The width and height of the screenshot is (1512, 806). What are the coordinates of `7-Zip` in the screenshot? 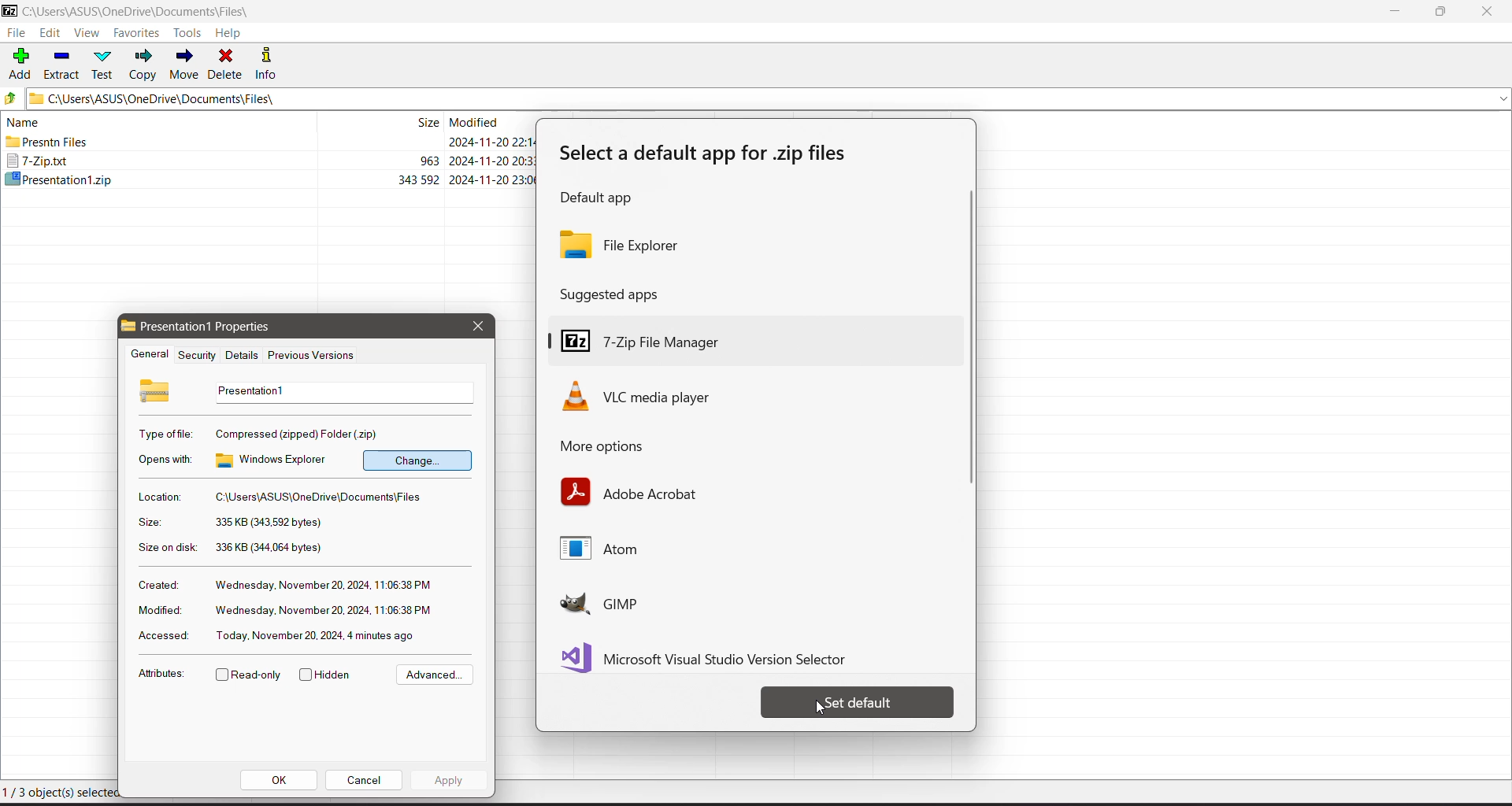 It's located at (272, 160).